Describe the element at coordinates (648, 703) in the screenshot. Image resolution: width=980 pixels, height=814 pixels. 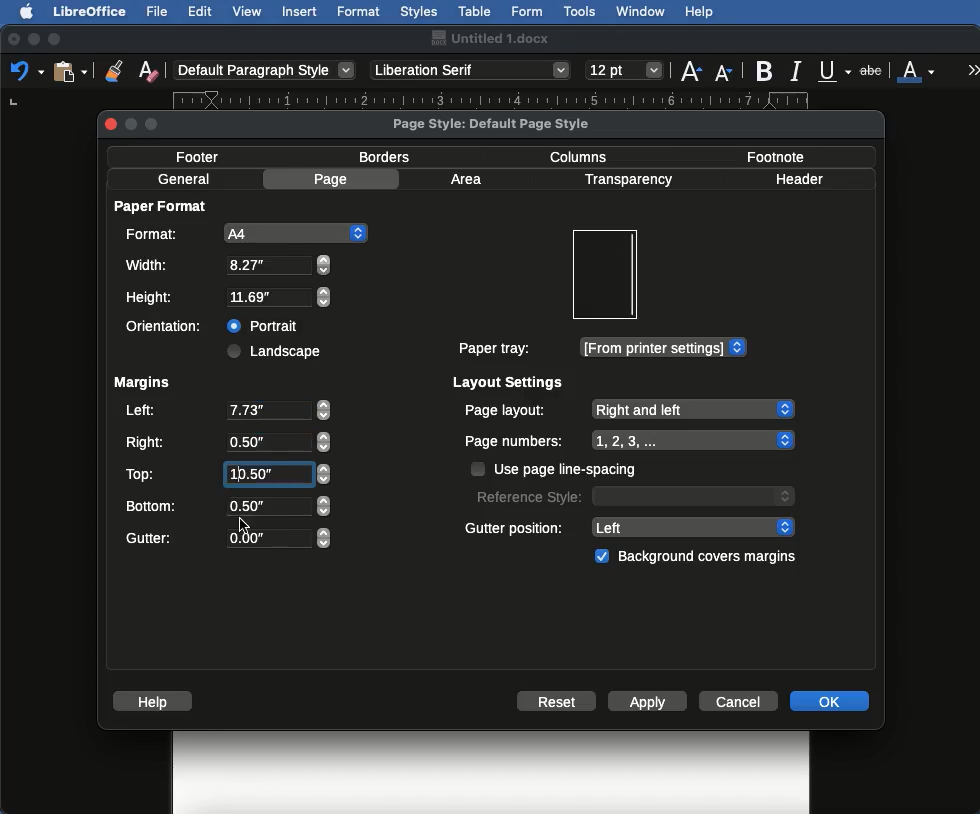
I see `Apply` at that location.